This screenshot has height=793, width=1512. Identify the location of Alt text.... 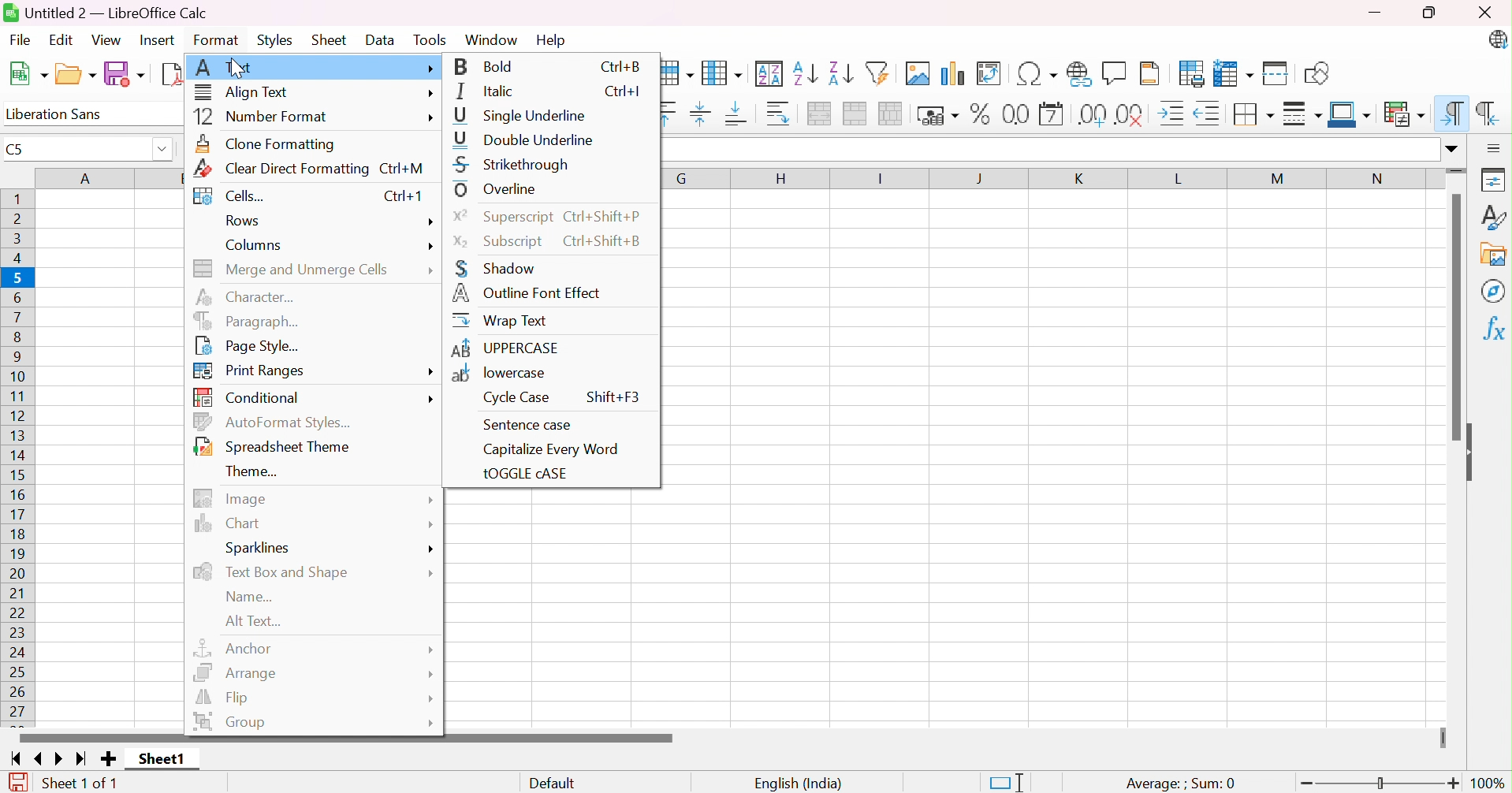
(257, 621).